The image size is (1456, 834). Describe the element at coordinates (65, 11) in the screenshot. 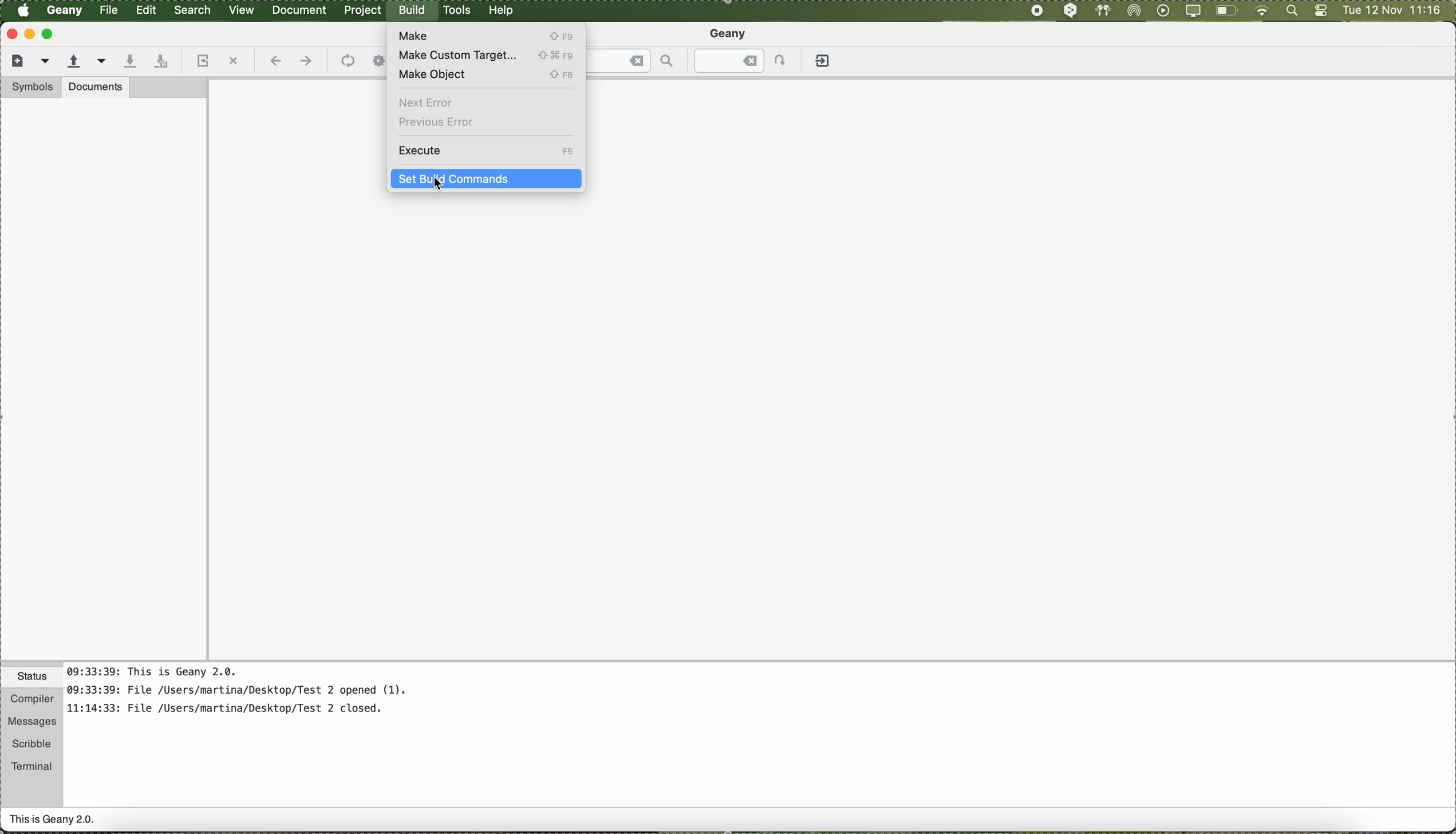

I see `Geany` at that location.